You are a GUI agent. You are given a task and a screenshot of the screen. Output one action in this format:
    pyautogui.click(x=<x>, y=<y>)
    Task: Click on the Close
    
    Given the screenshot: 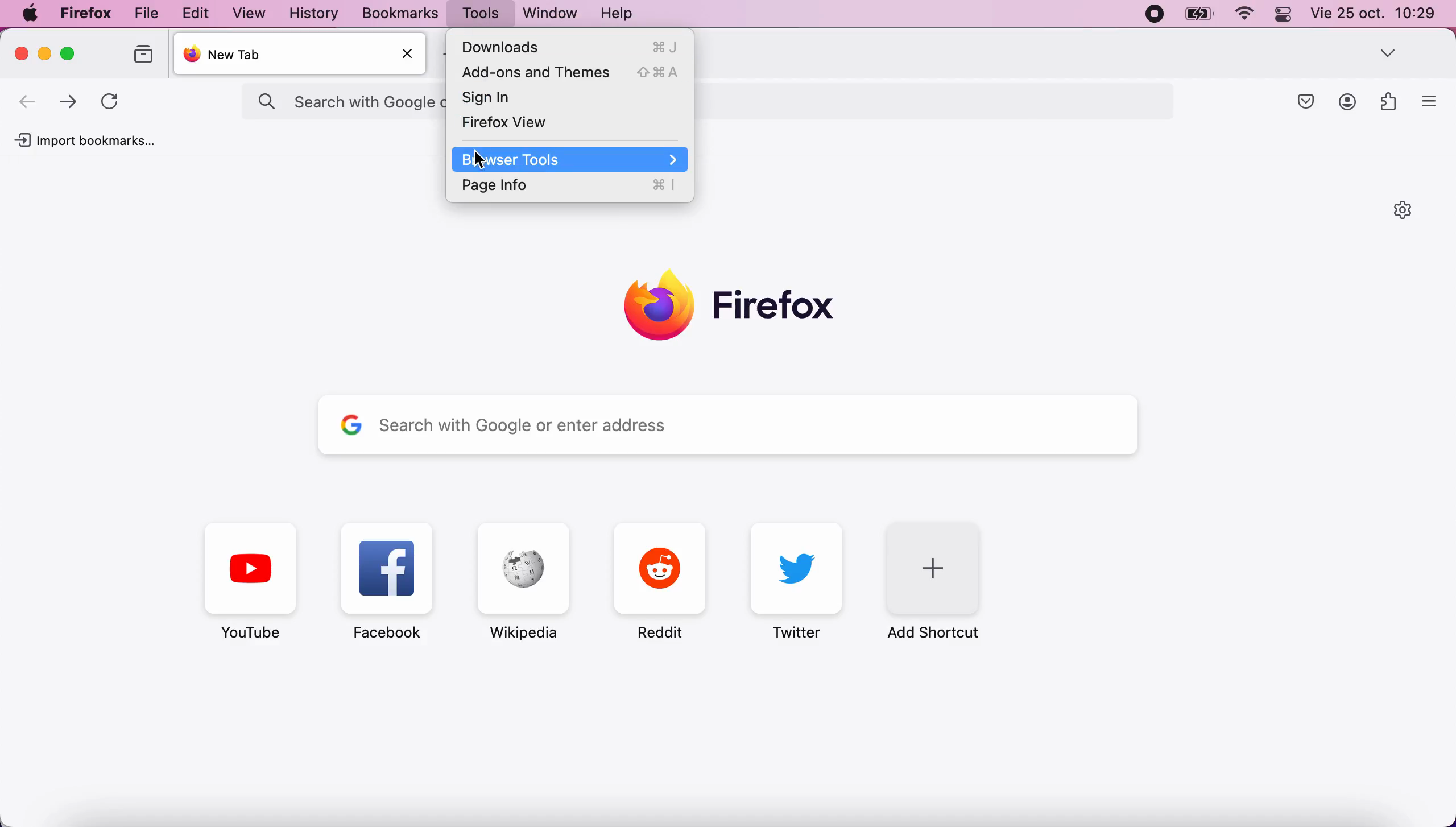 What is the action you would take?
    pyautogui.click(x=408, y=53)
    